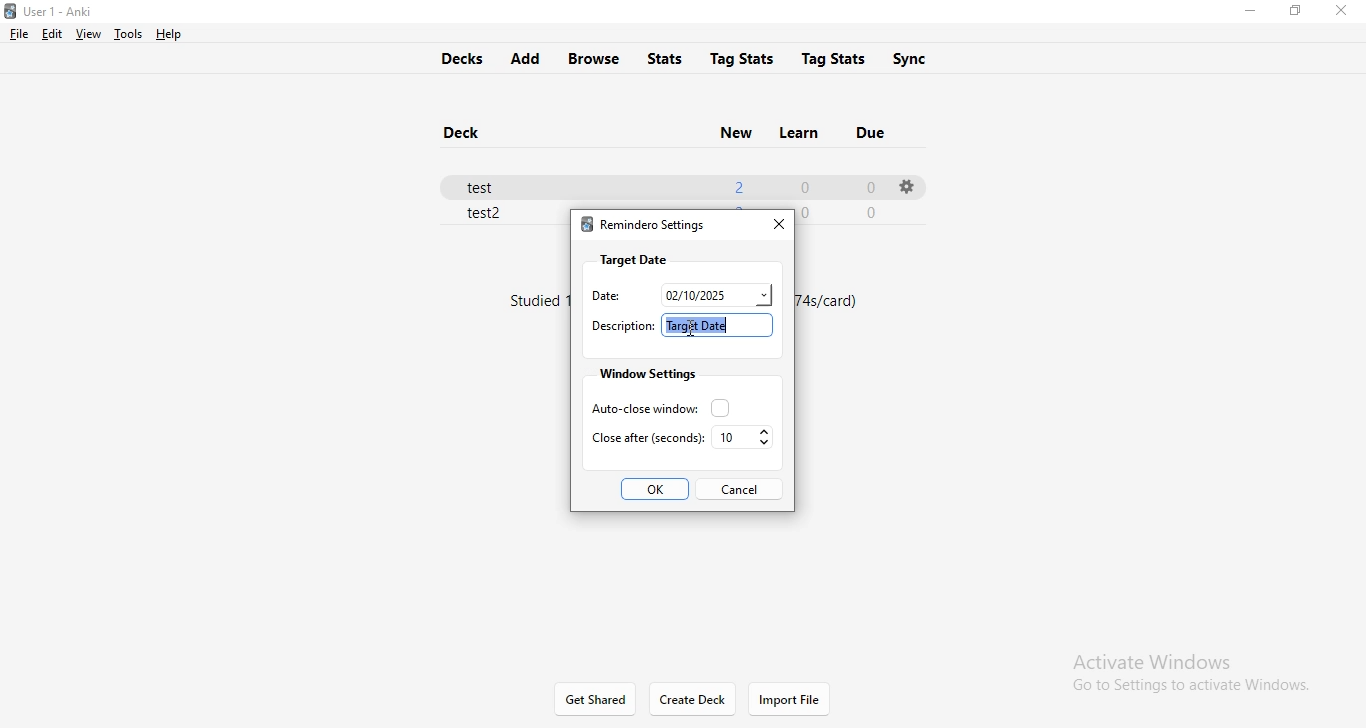  I want to click on remindero settings, so click(642, 227).